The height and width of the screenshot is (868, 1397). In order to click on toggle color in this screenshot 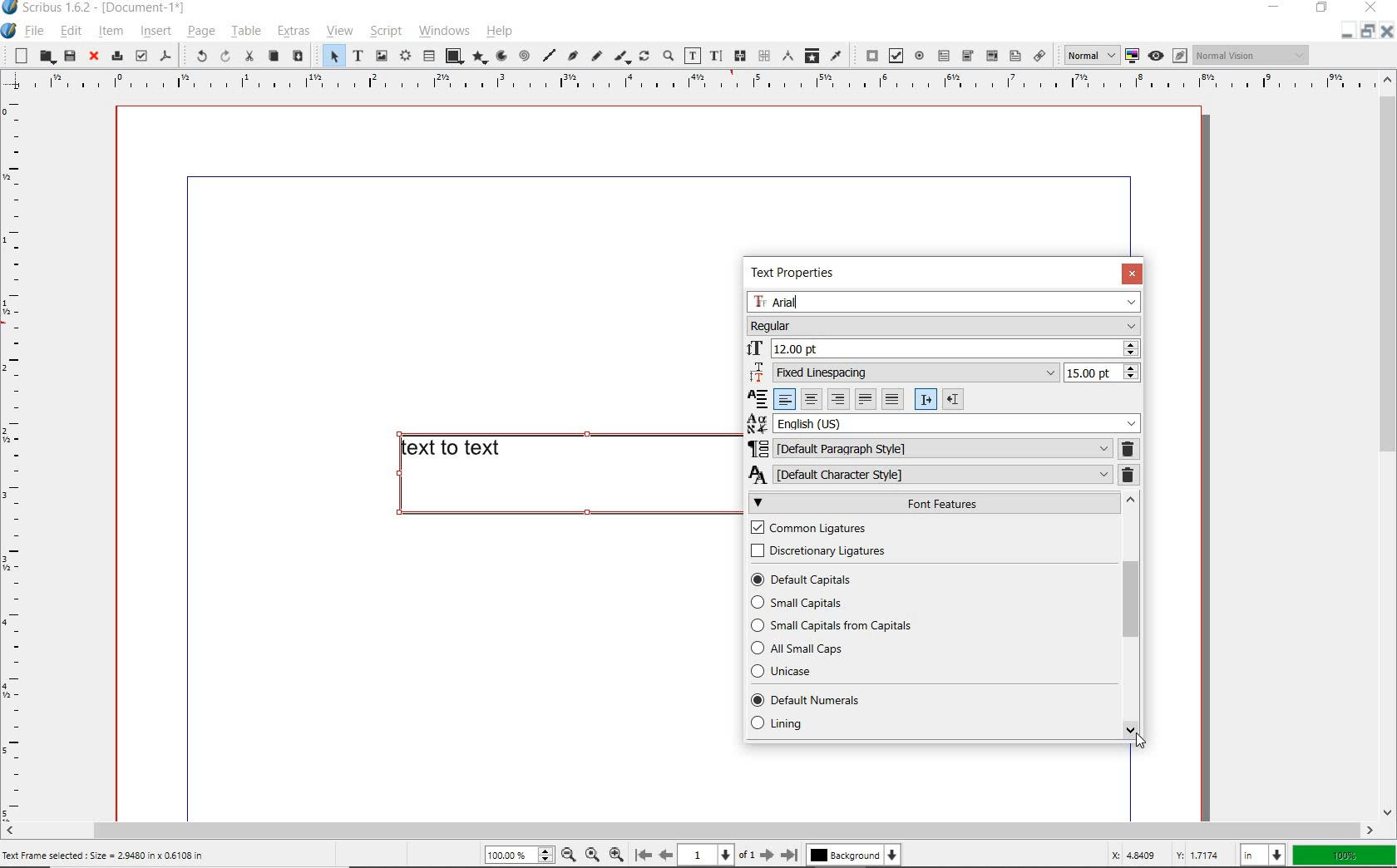, I will do `click(1133, 57)`.